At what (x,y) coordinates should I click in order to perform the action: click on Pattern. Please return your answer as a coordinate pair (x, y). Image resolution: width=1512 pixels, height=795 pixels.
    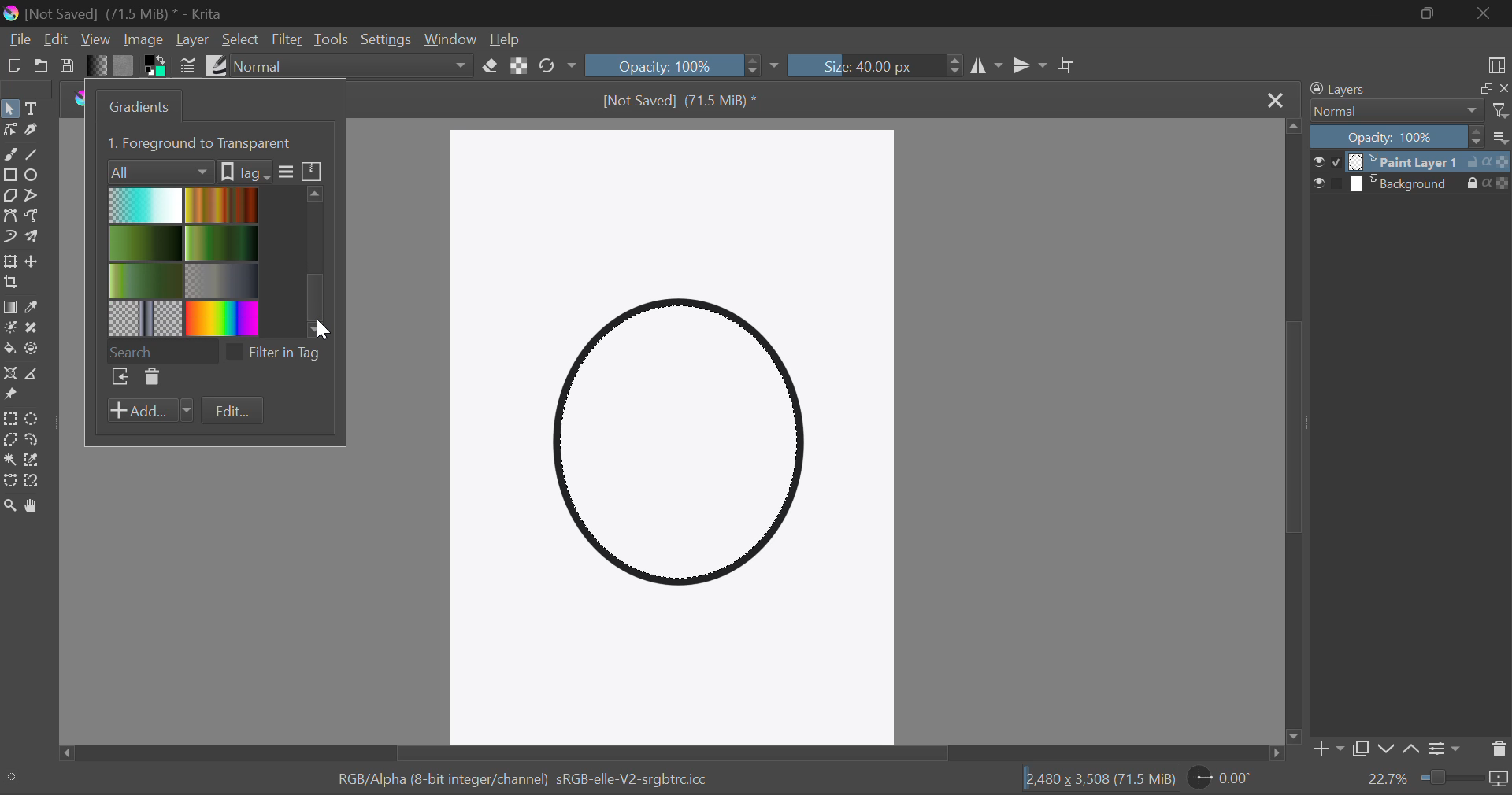
    Looking at the image, I should click on (146, 317).